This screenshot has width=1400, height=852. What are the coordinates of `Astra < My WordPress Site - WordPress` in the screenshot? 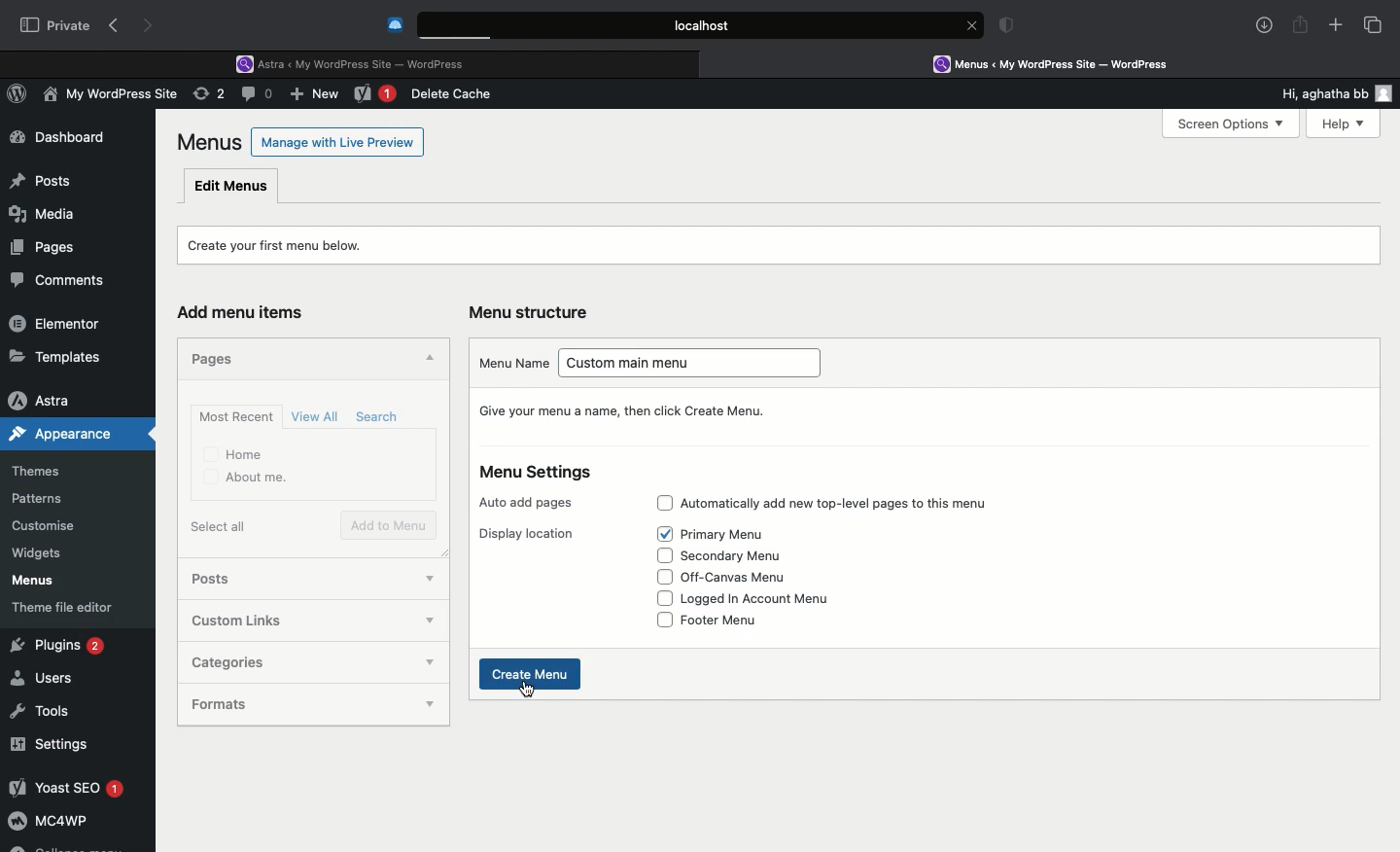 It's located at (357, 62).